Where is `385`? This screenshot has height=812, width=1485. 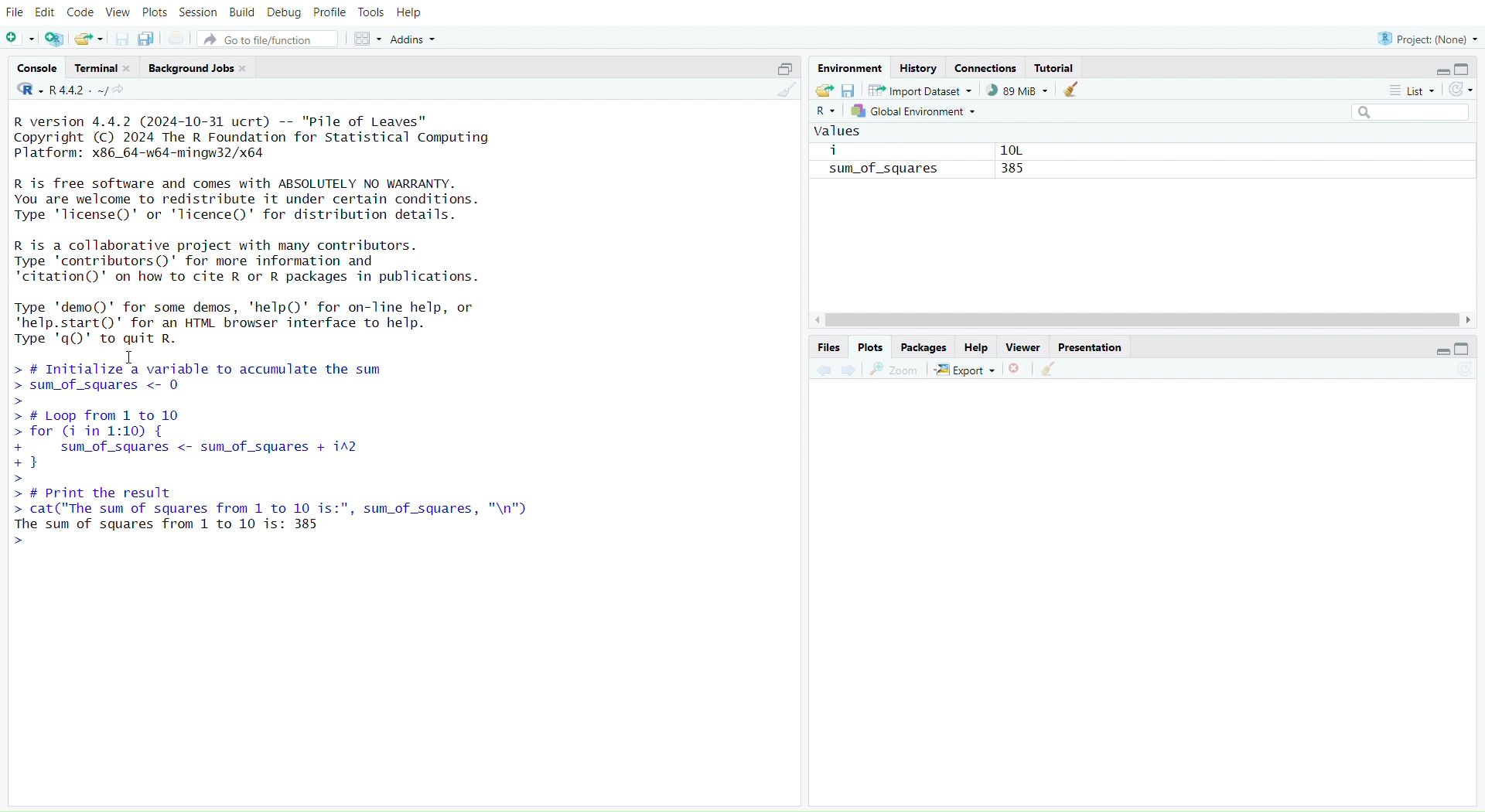 385 is located at coordinates (1009, 169).